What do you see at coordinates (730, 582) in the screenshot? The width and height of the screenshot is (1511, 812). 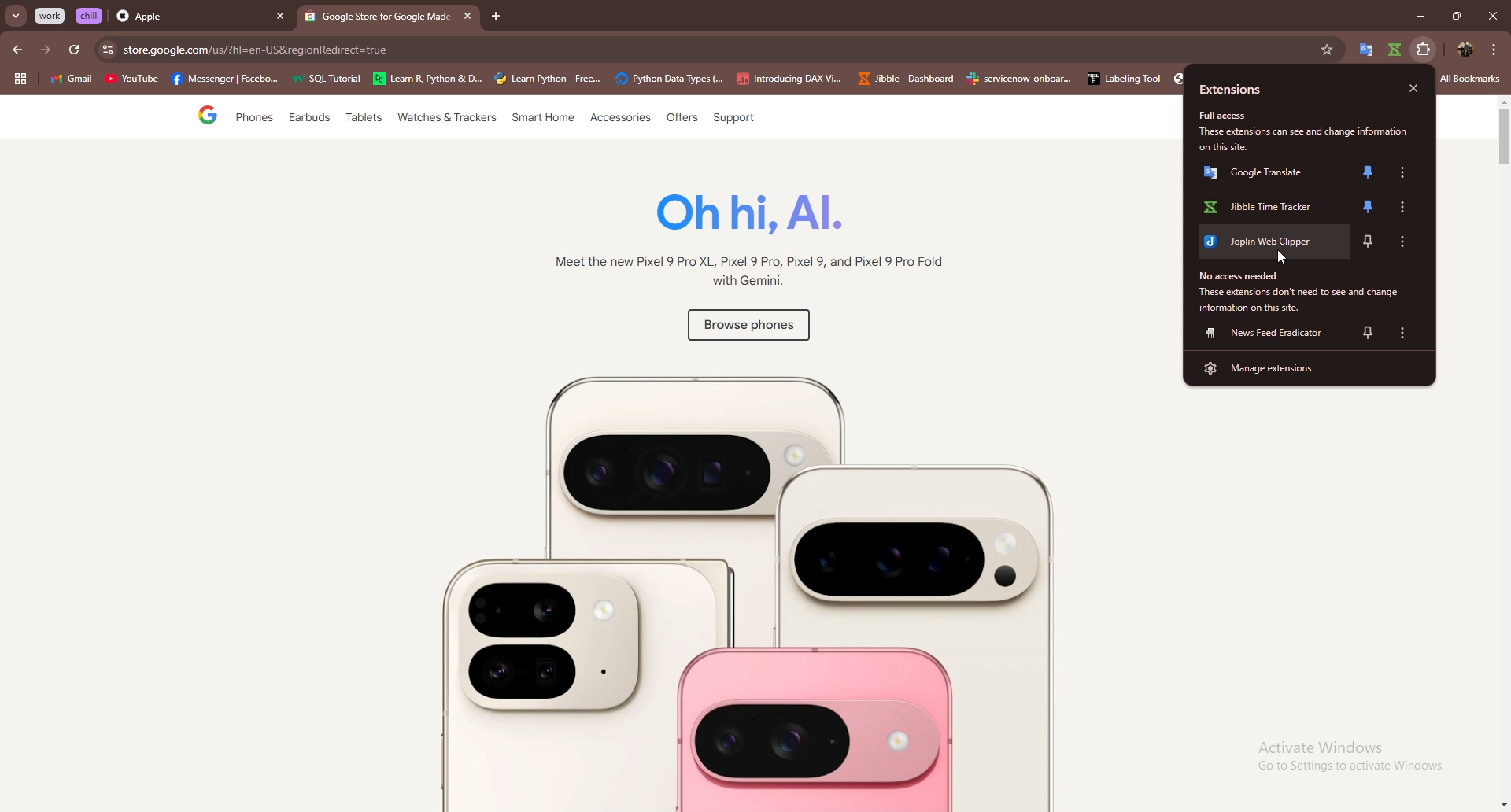 I see `Image` at bounding box center [730, 582].